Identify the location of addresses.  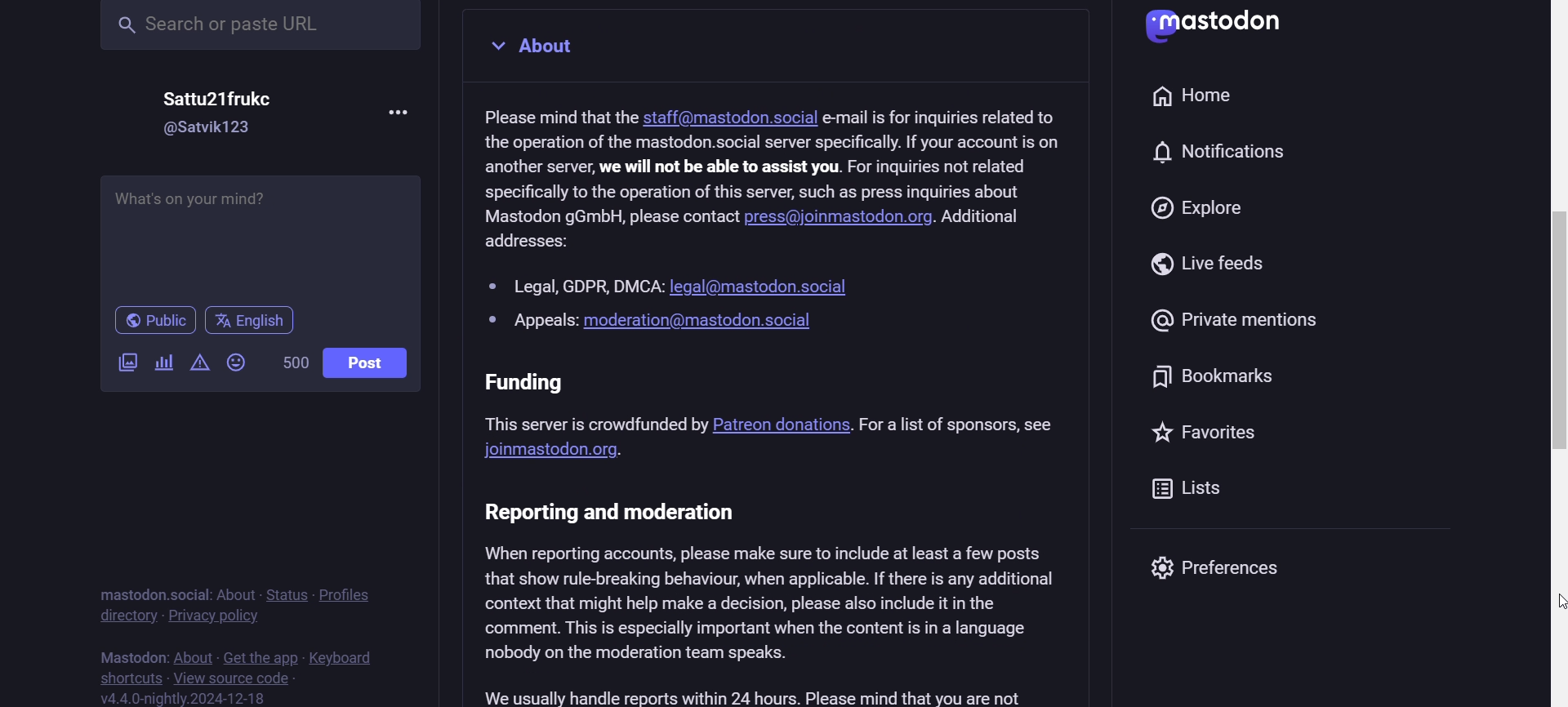
(528, 246).